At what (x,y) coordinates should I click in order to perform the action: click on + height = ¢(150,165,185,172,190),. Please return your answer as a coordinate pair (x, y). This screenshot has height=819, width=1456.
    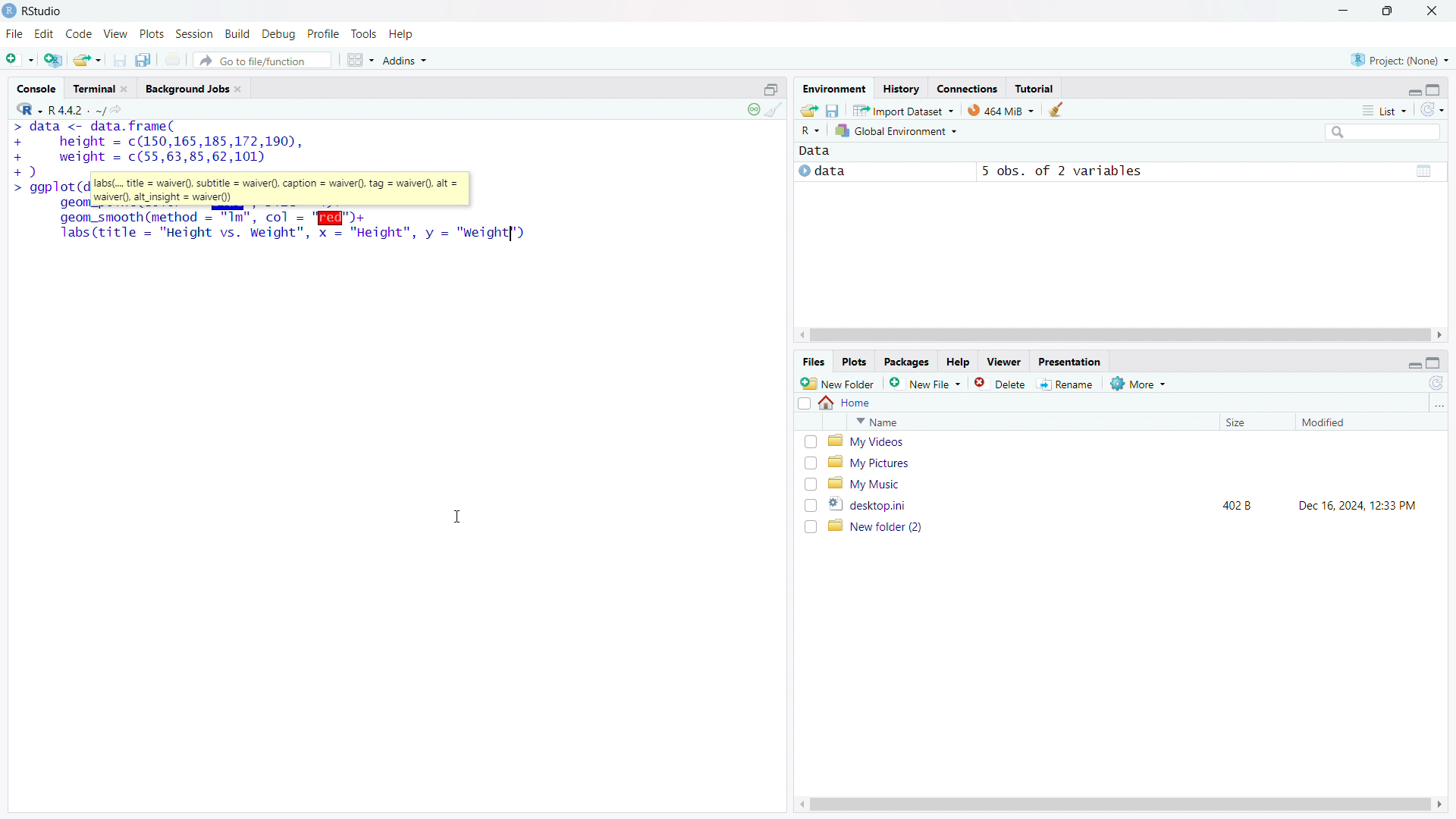
    Looking at the image, I should click on (158, 142).